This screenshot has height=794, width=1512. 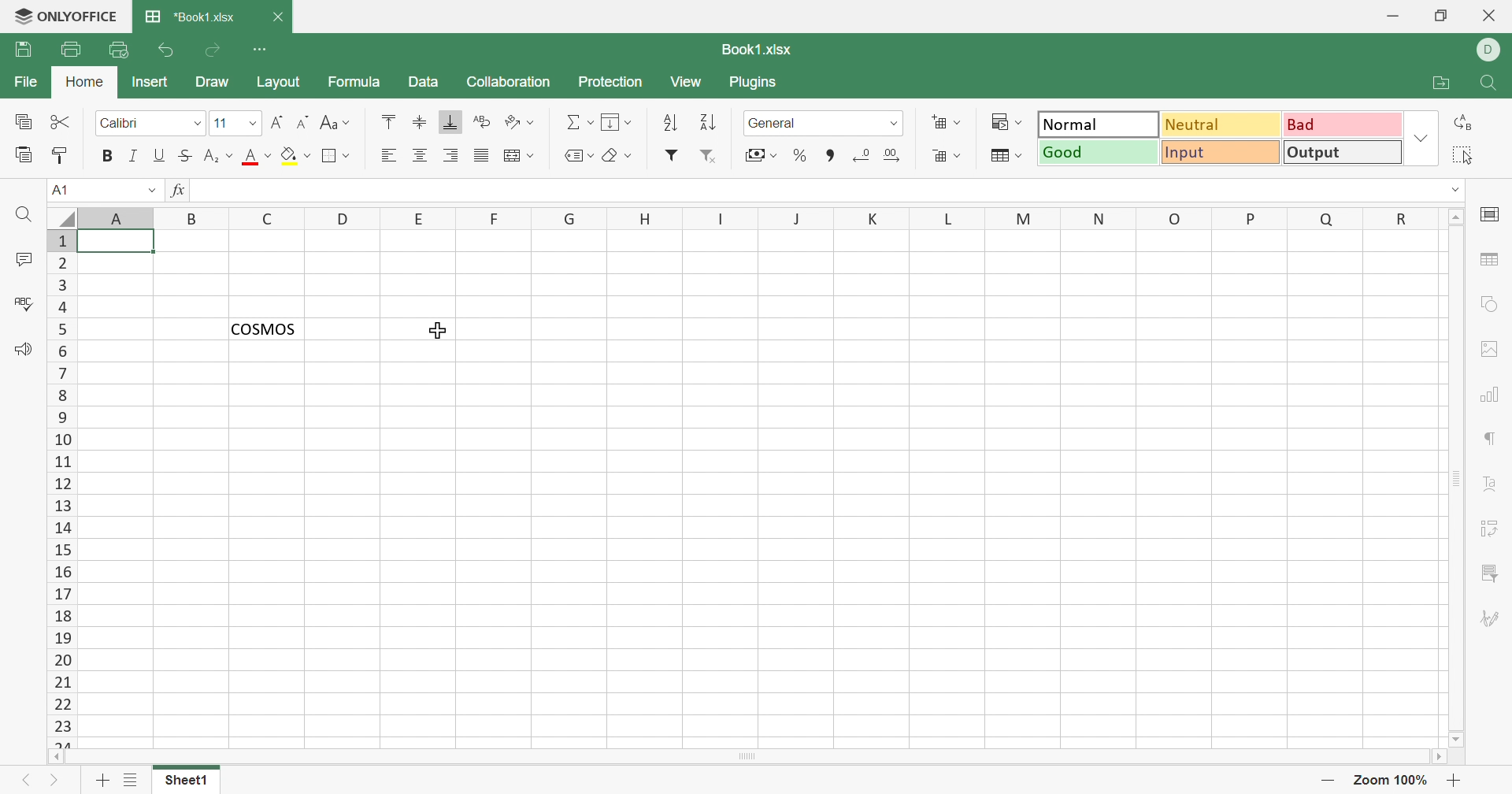 I want to click on COSMOS, so click(x=264, y=328).